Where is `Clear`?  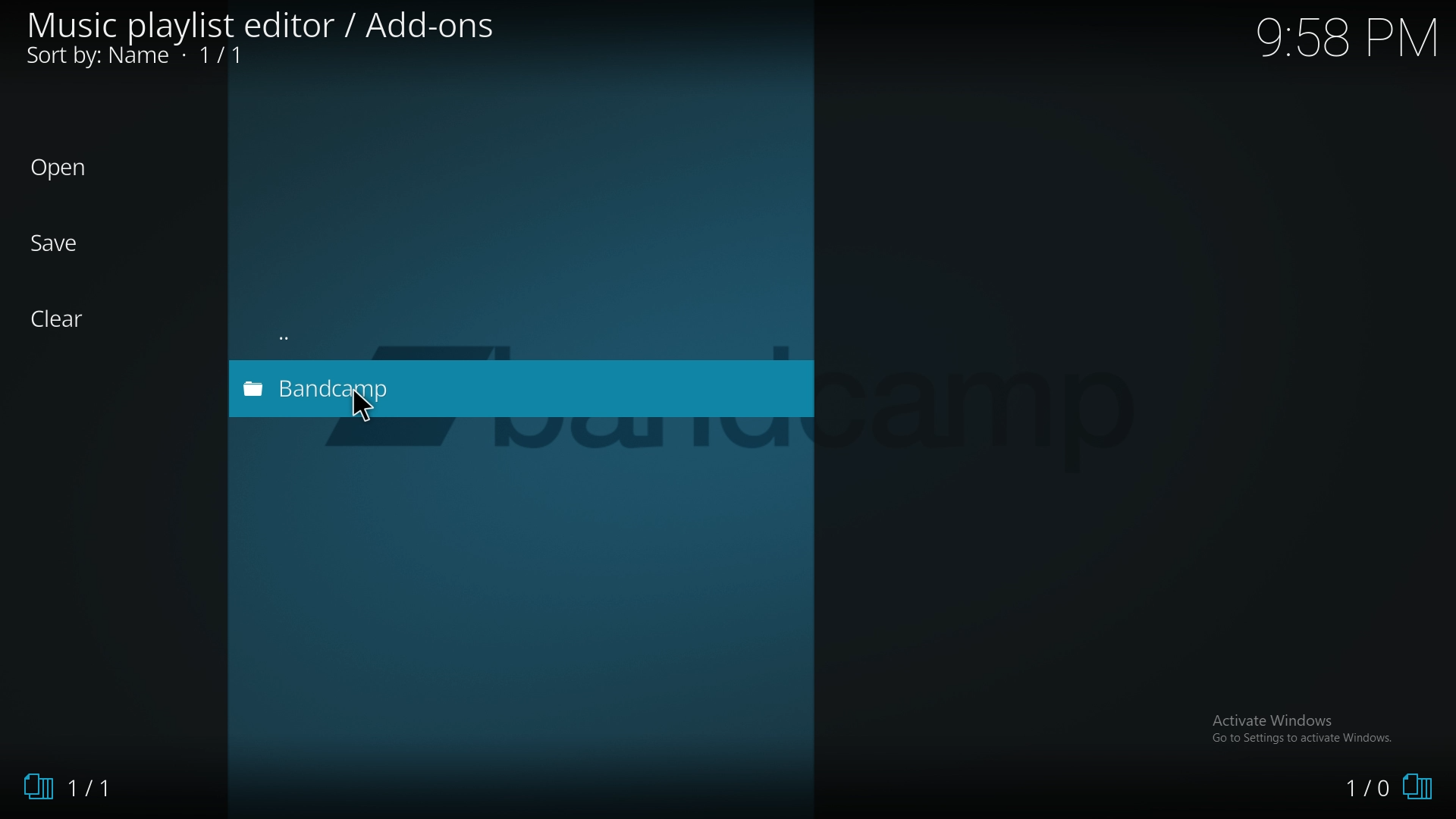 Clear is located at coordinates (55, 319).